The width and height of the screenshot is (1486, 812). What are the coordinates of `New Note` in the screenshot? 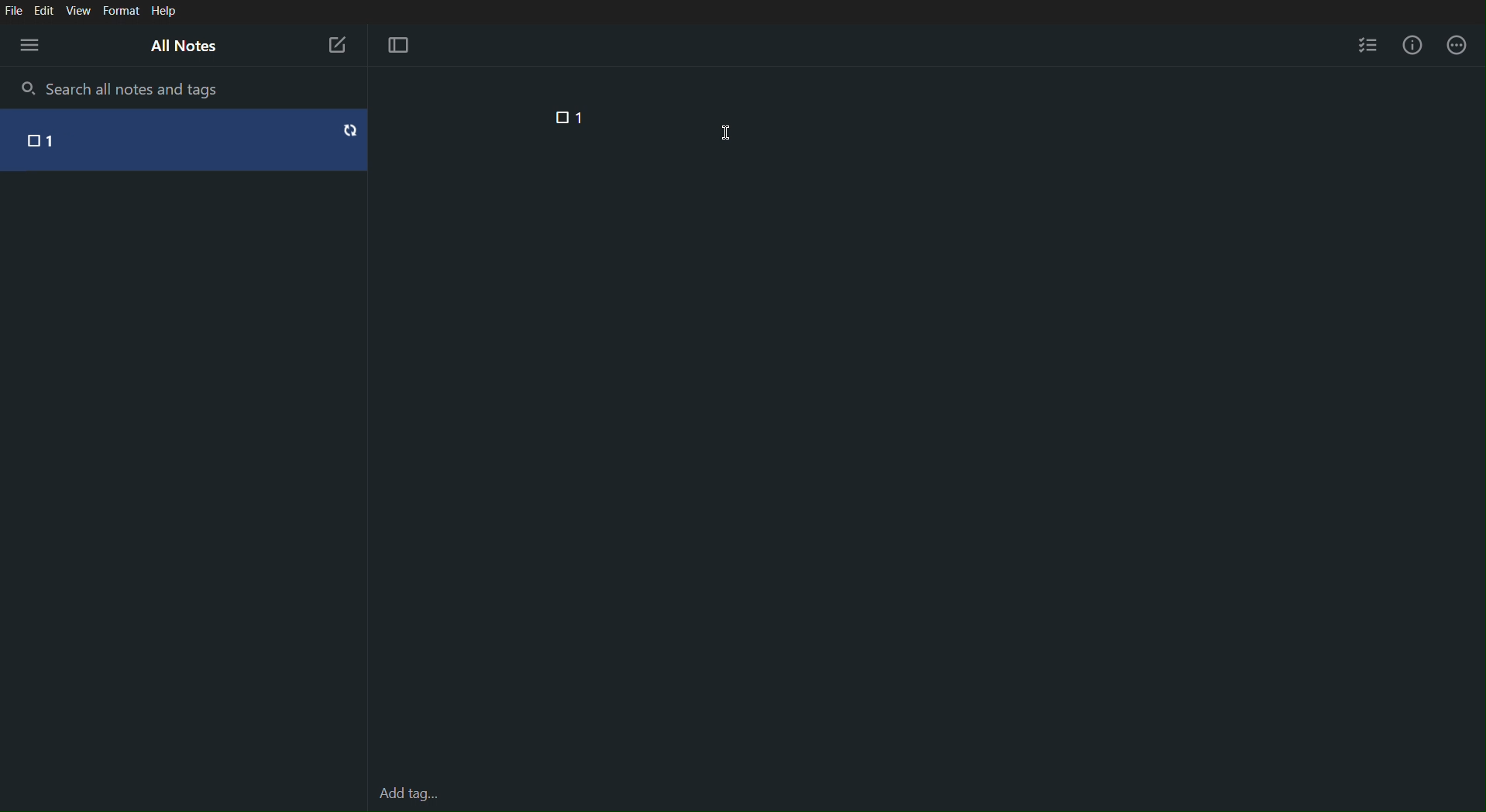 It's located at (336, 45).